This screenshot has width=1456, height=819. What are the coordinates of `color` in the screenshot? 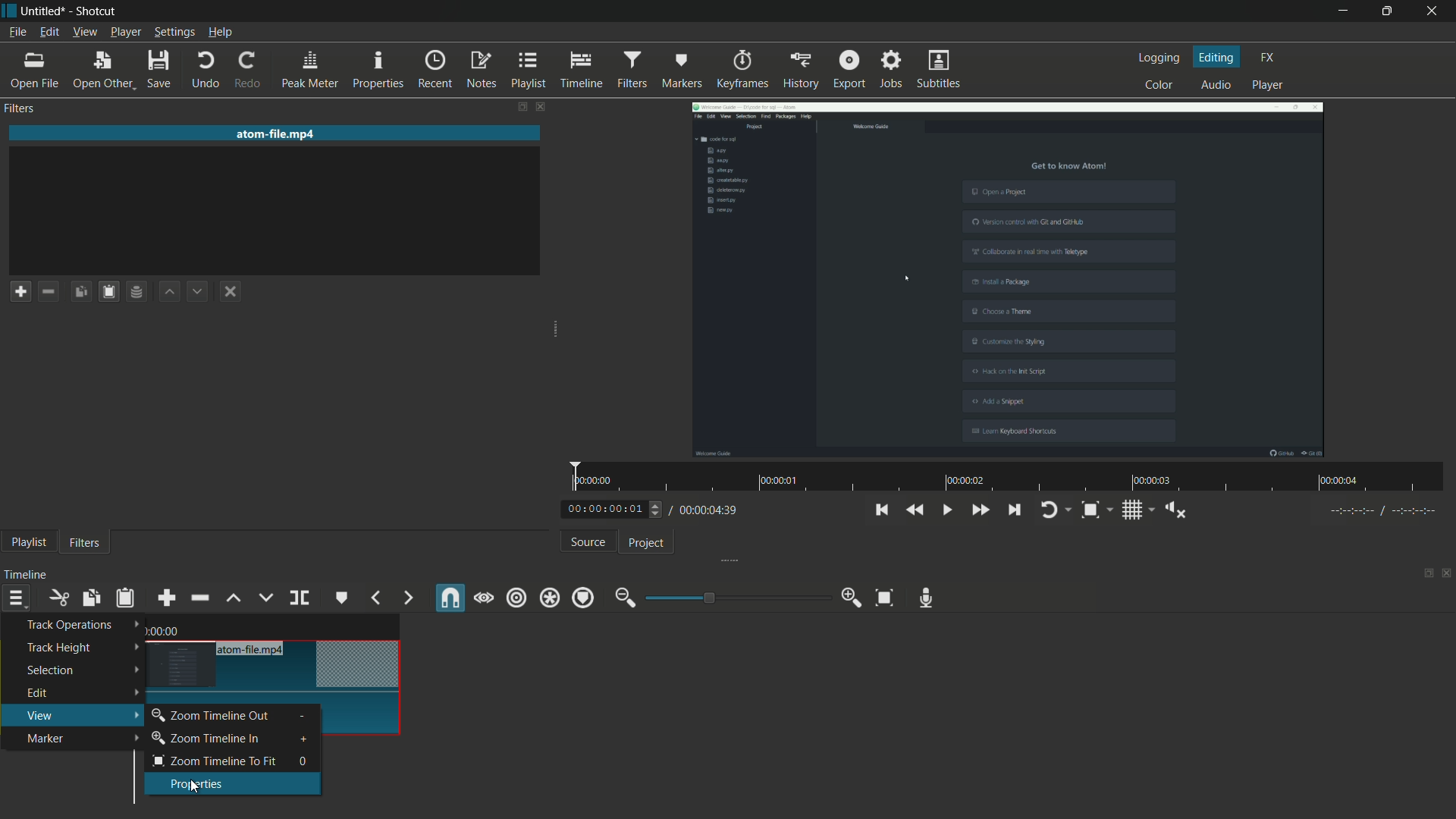 It's located at (1162, 85).